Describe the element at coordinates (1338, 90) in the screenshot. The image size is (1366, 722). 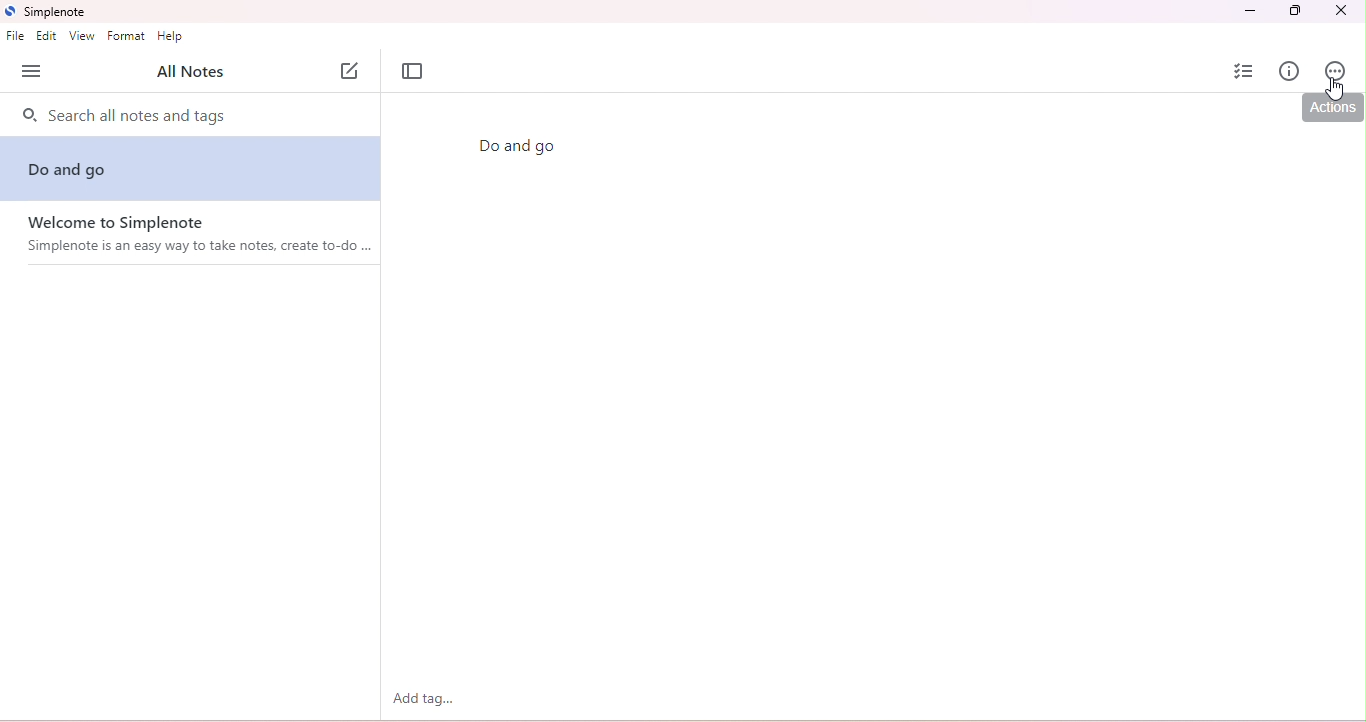
I see `cursor` at that location.